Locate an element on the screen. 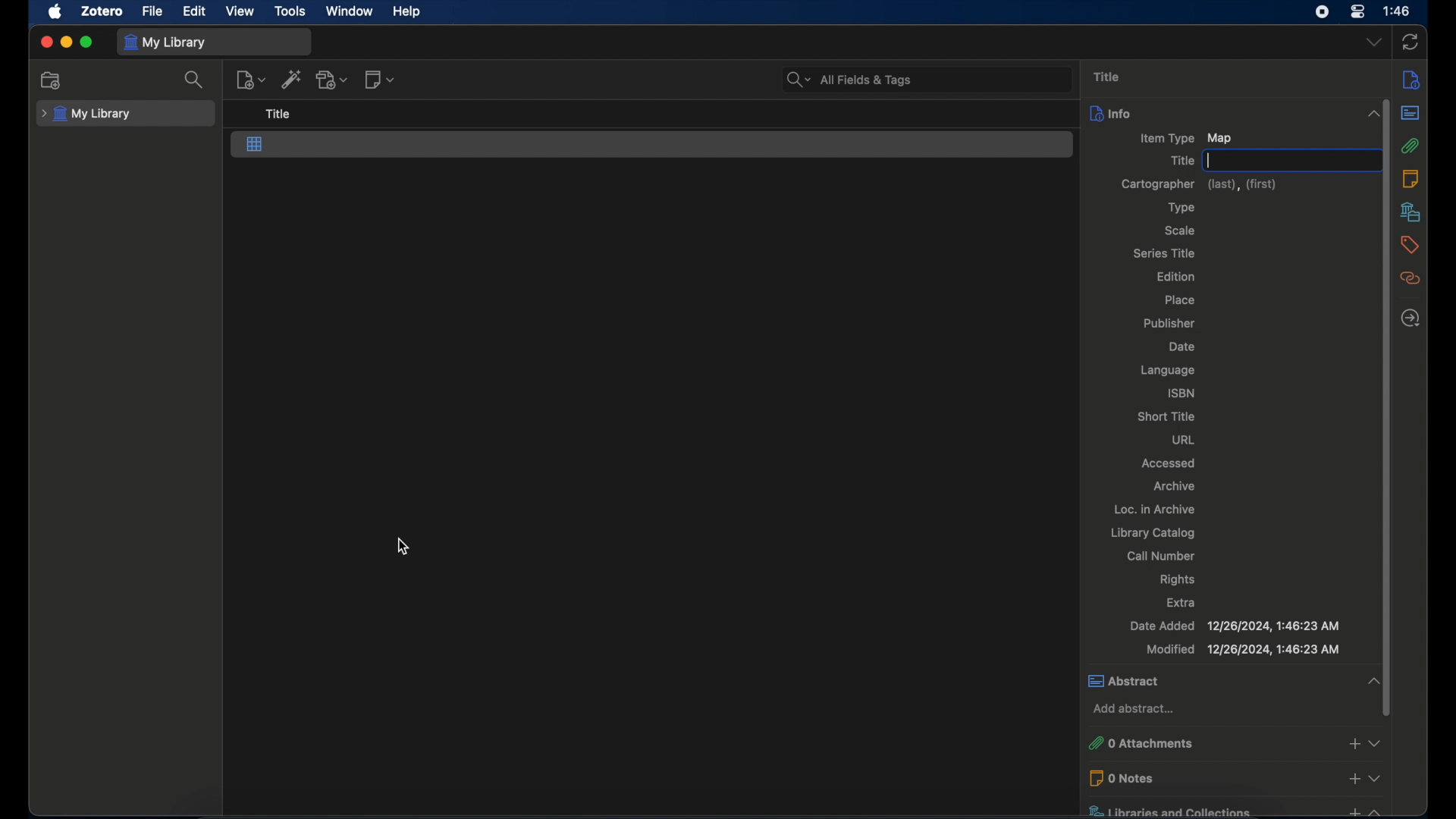  loc. in archive is located at coordinates (1156, 509).